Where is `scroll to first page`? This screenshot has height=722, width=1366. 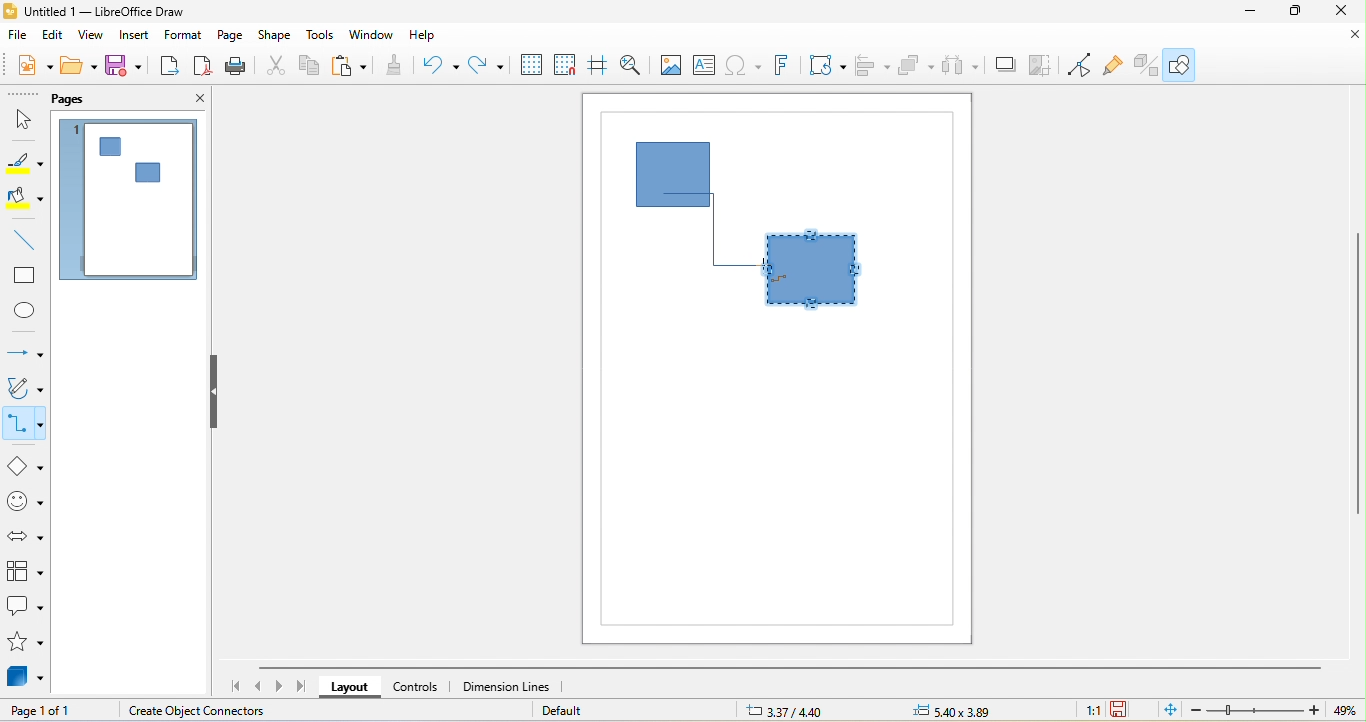 scroll to first page is located at coordinates (231, 687).